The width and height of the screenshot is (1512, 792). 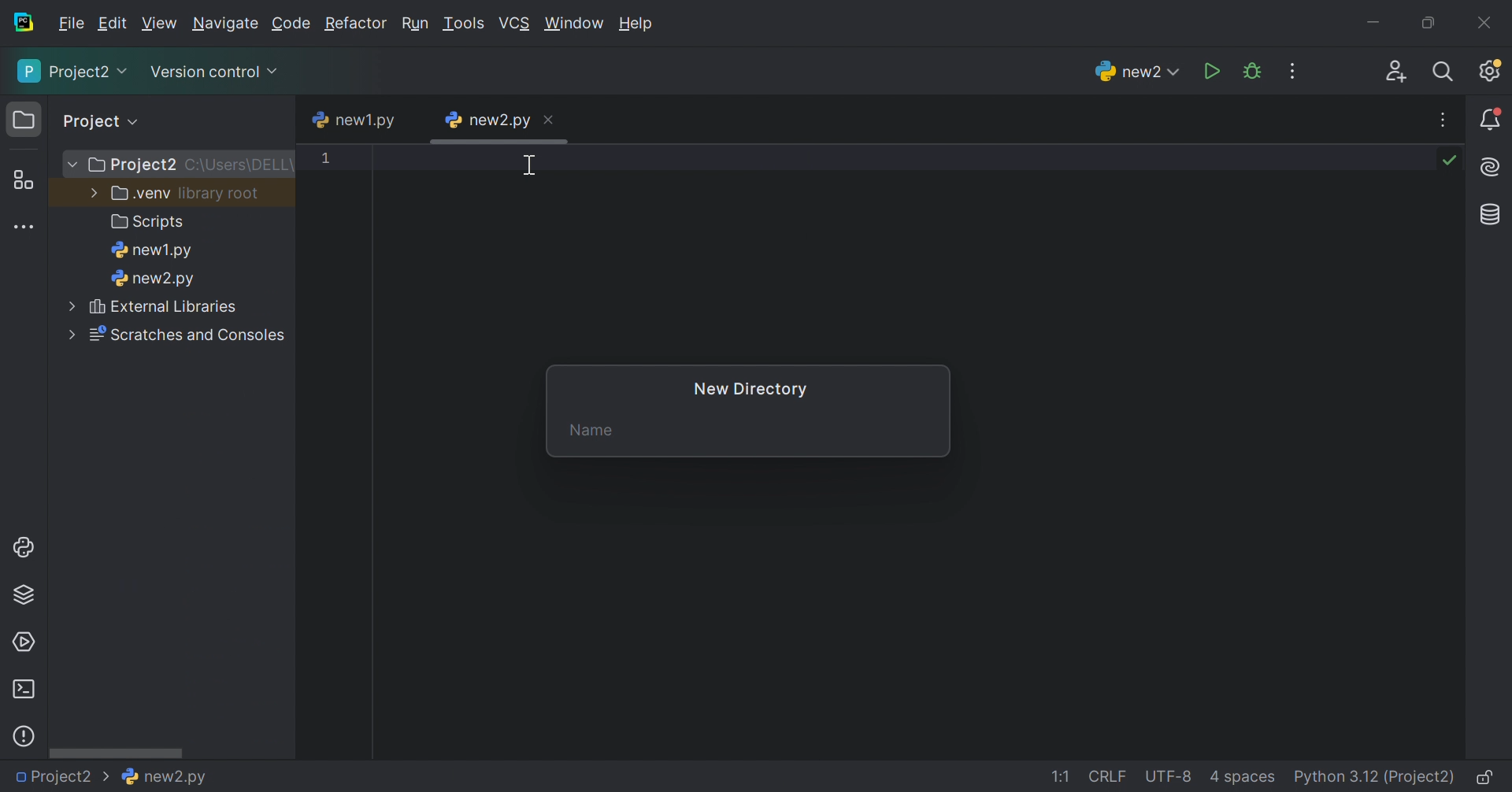 What do you see at coordinates (633, 21) in the screenshot?
I see `Help` at bounding box center [633, 21].